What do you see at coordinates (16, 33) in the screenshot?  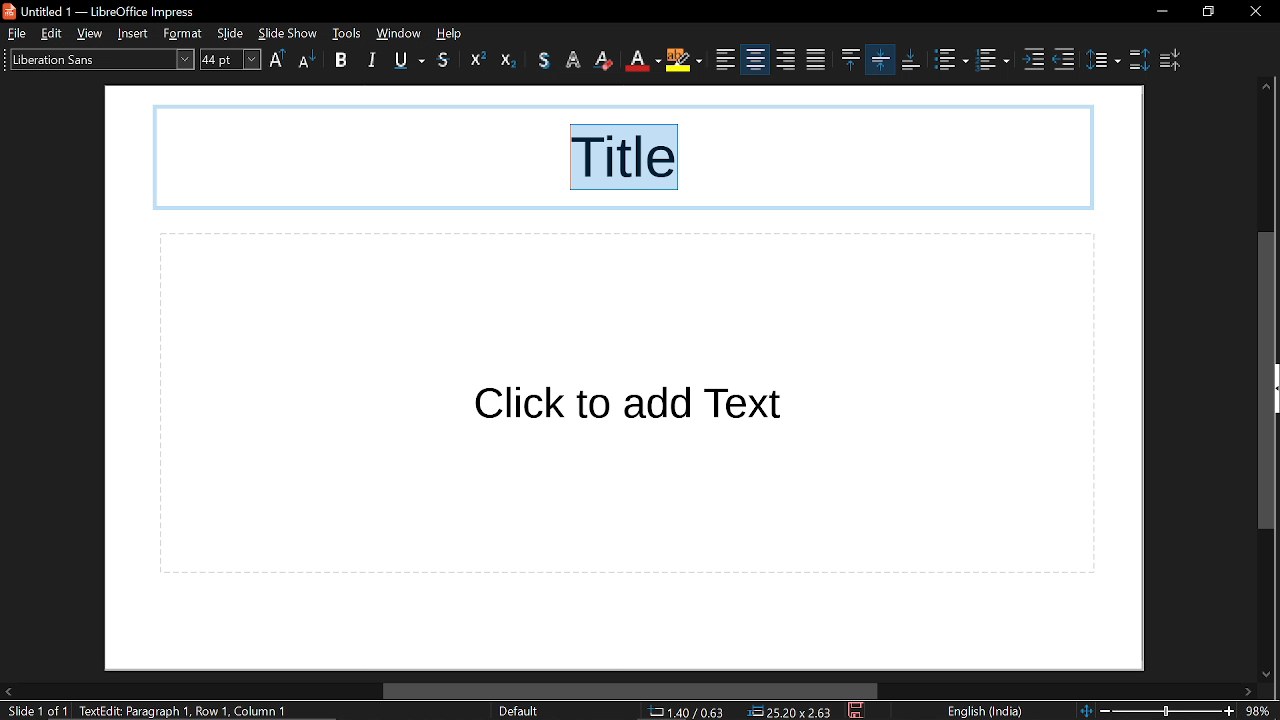 I see `file` at bounding box center [16, 33].